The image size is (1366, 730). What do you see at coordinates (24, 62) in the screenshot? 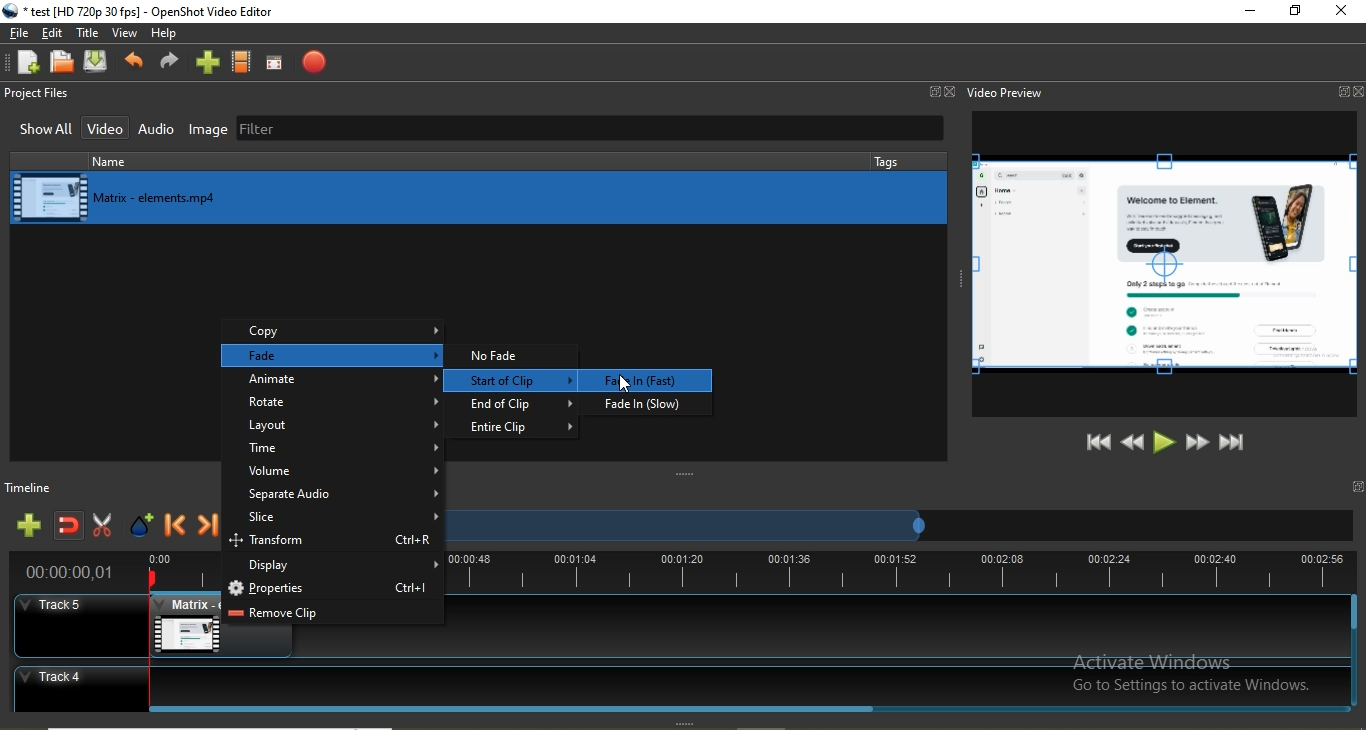
I see `New project` at bounding box center [24, 62].